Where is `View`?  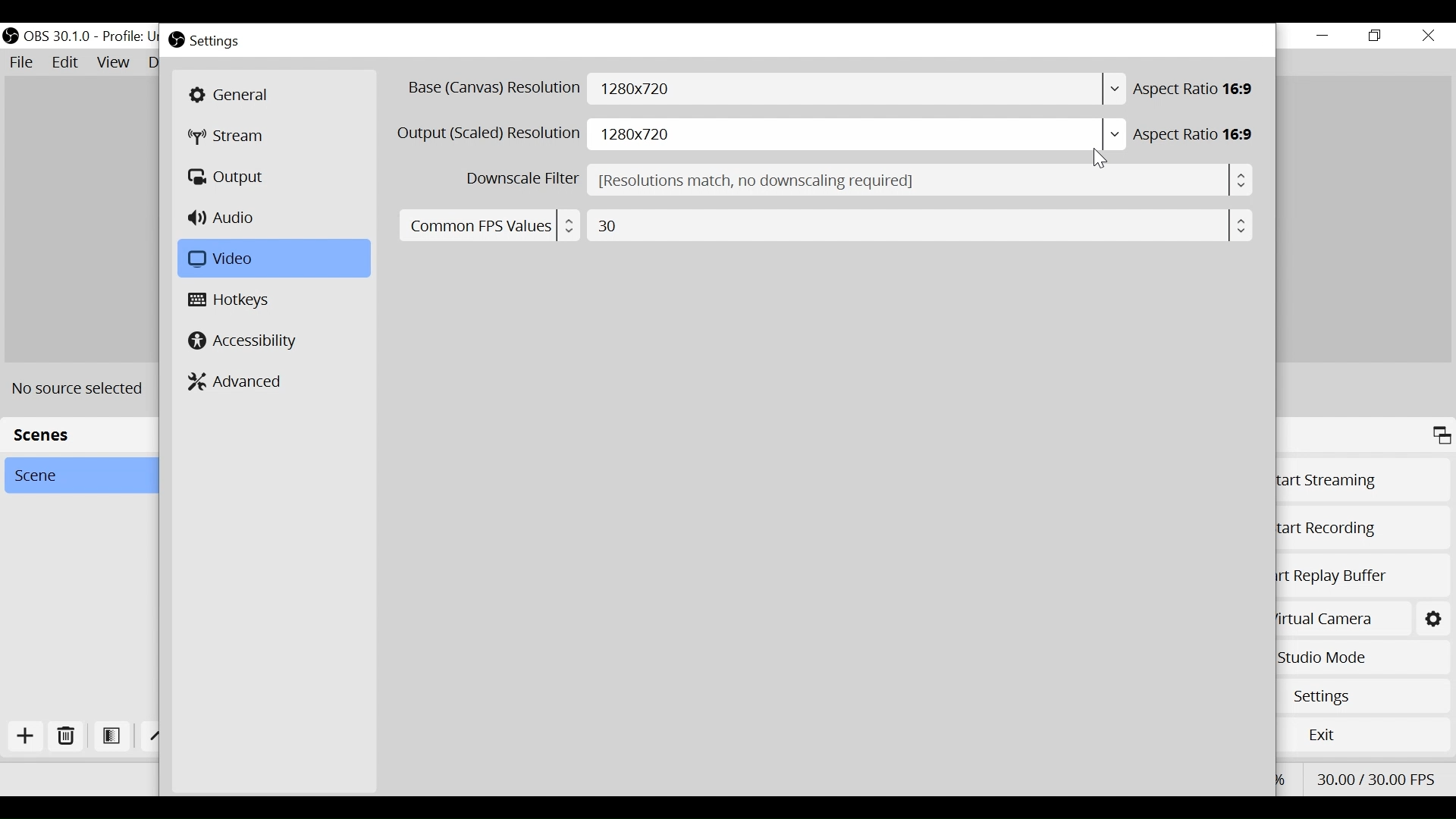
View is located at coordinates (113, 63).